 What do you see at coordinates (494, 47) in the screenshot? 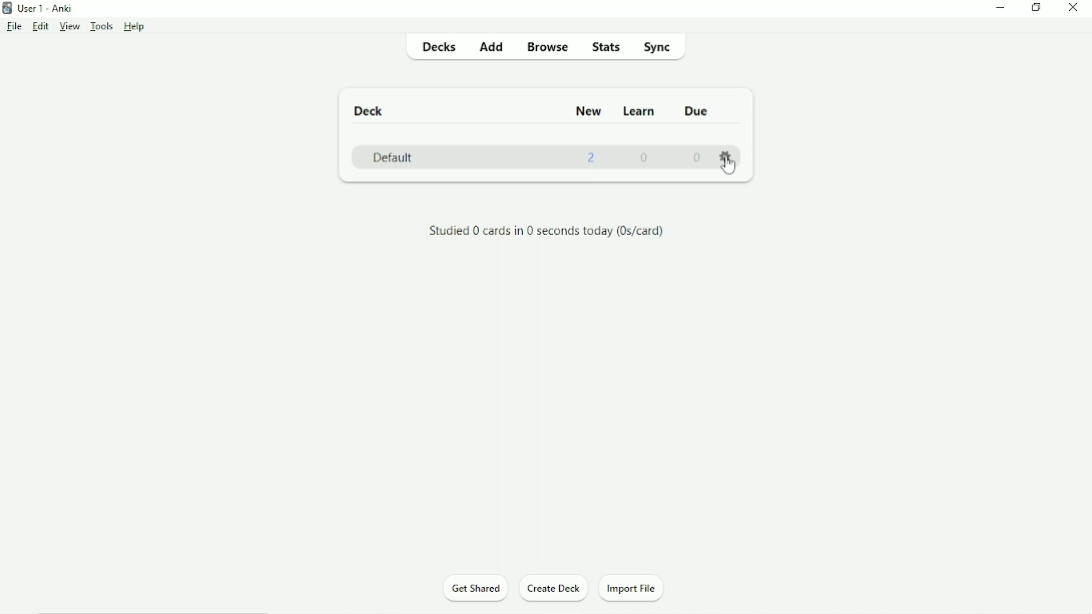
I see `Add` at bounding box center [494, 47].